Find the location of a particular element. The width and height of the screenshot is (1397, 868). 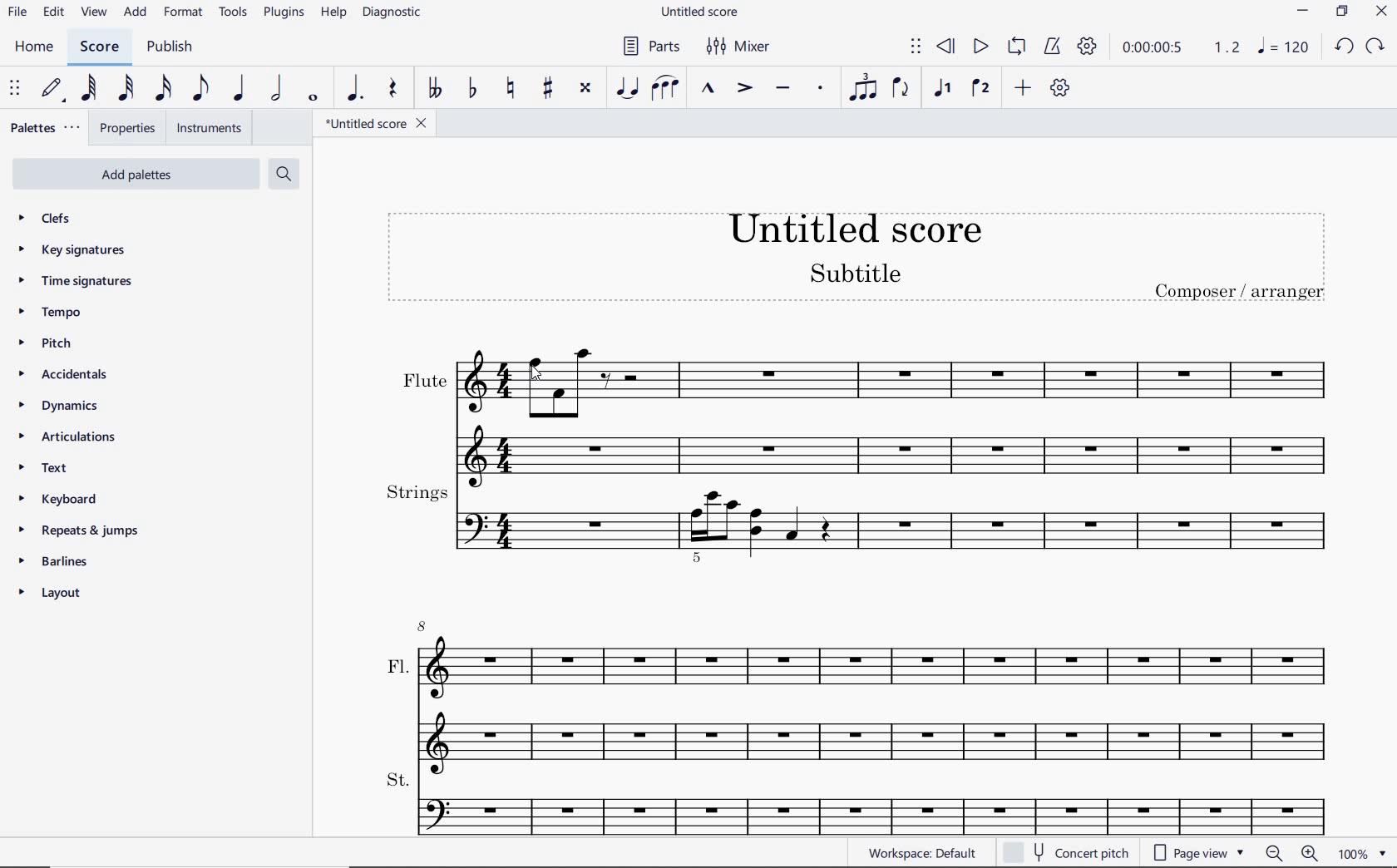

TOOLS is located at coordinates (234, 13).